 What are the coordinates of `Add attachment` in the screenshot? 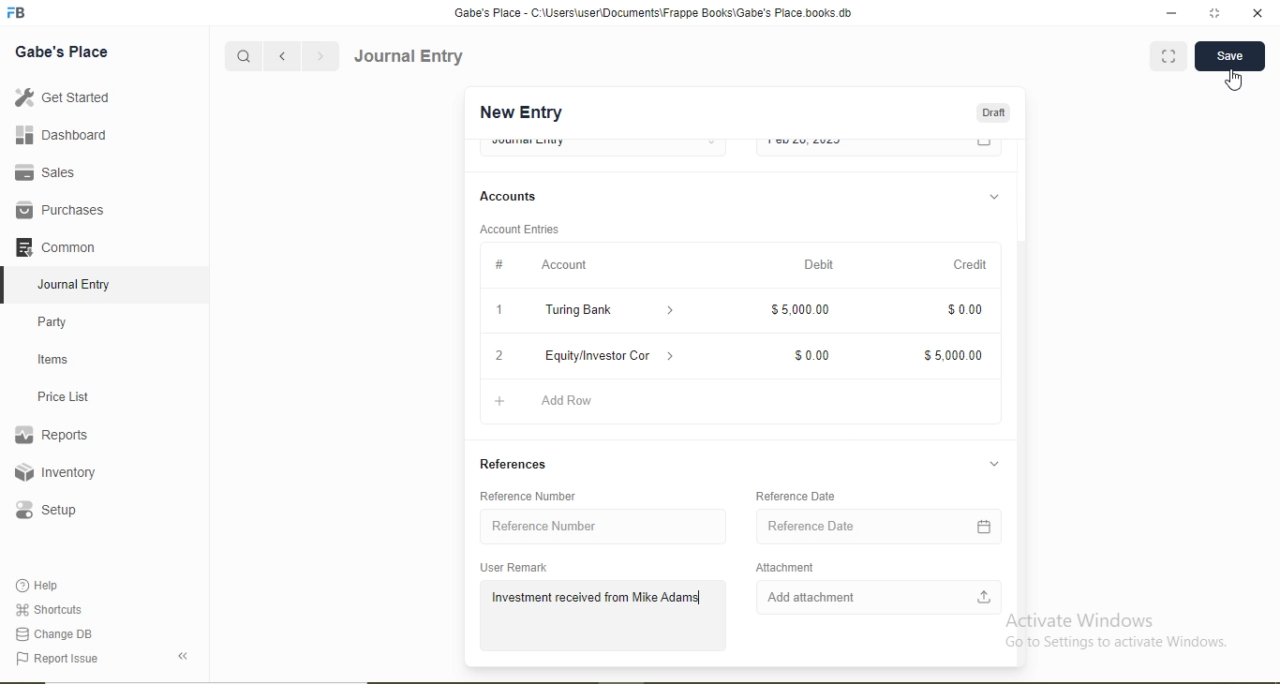 It's located at (811, 597).